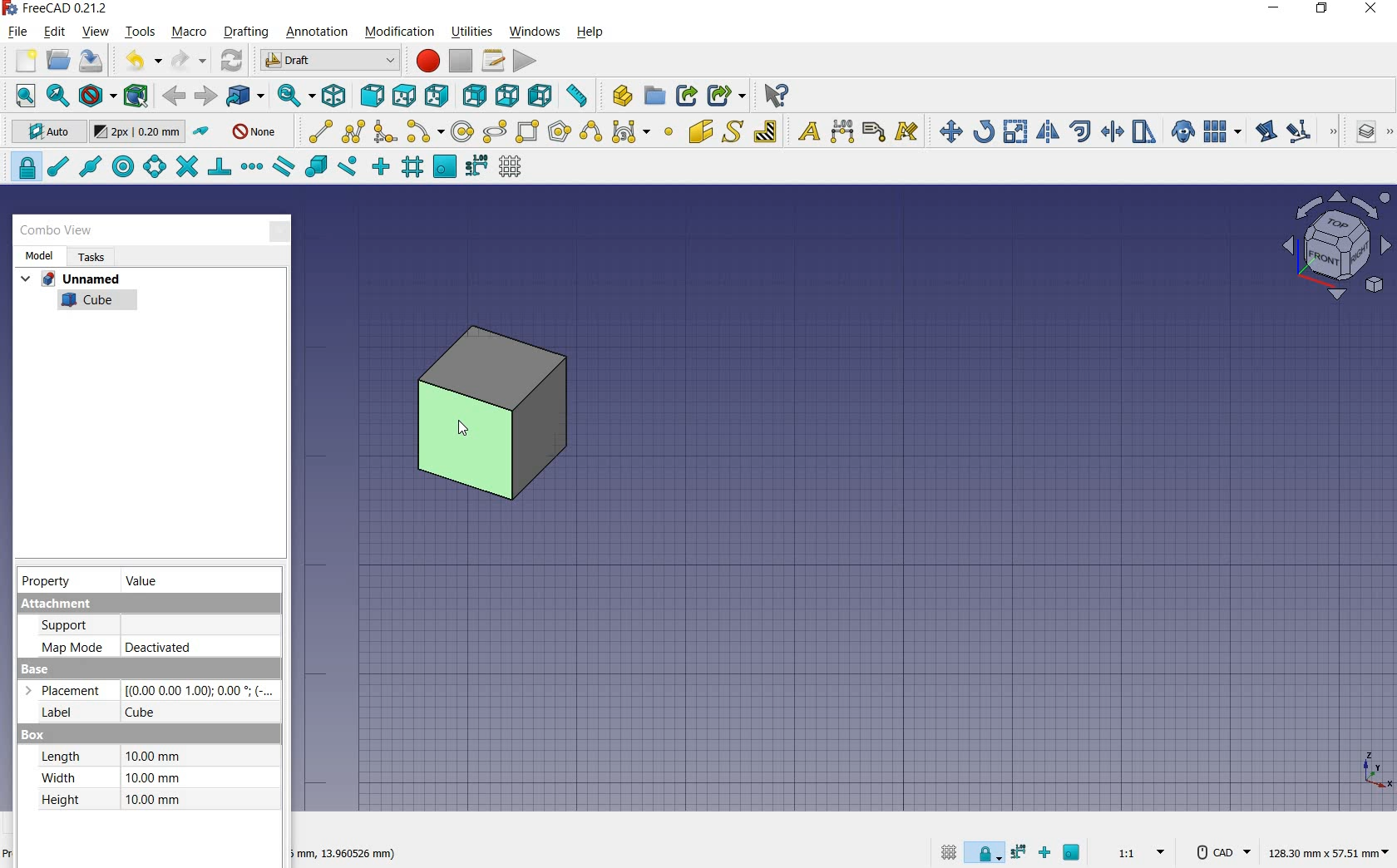  I want to click on Label, so click(51, 713).